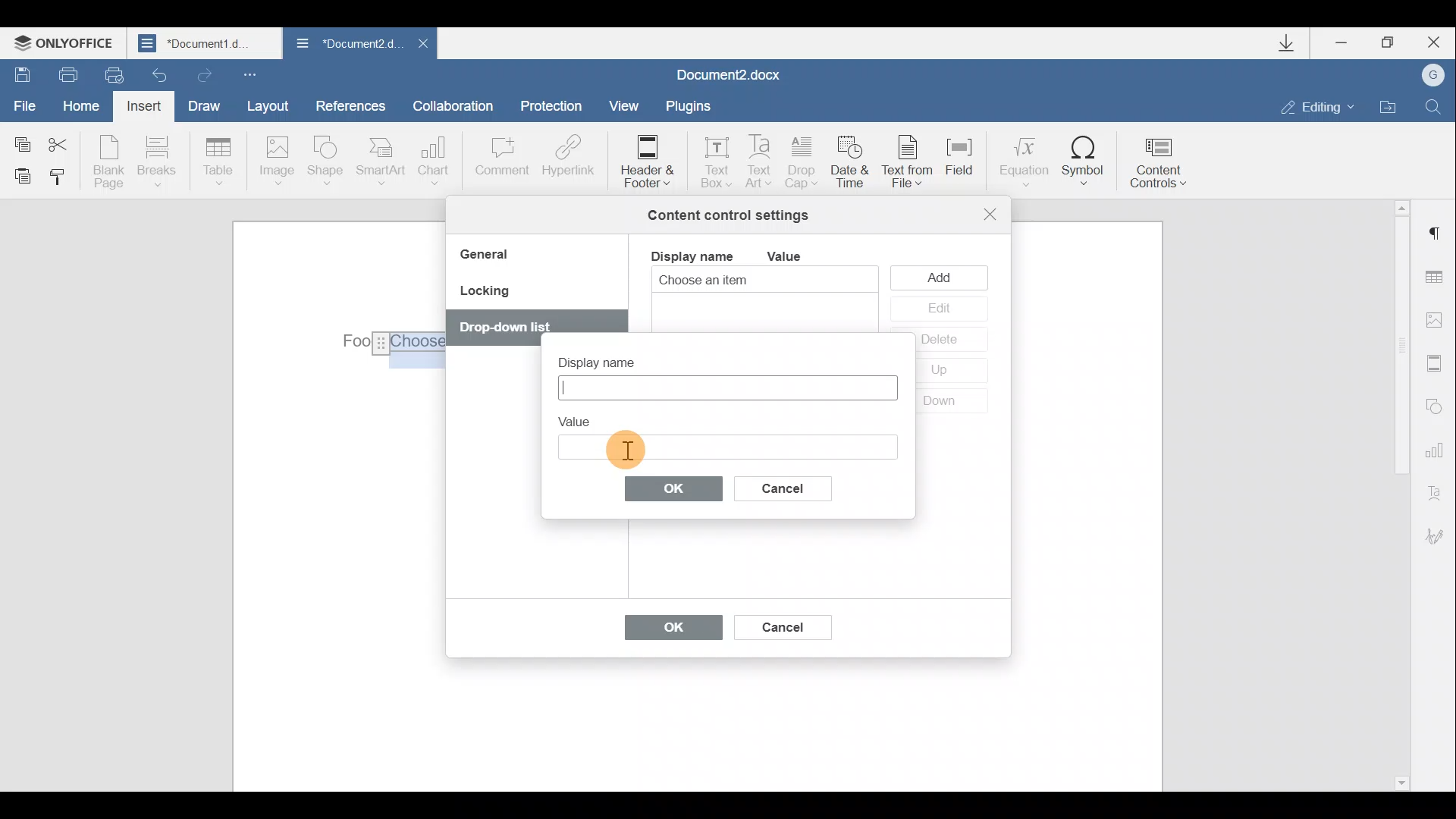 The height and width of the screenshot is (819, 1456). What do you see at coordinates (146, 109) in the screenshot?
I see `Insert` at bounding box center [146, 109].